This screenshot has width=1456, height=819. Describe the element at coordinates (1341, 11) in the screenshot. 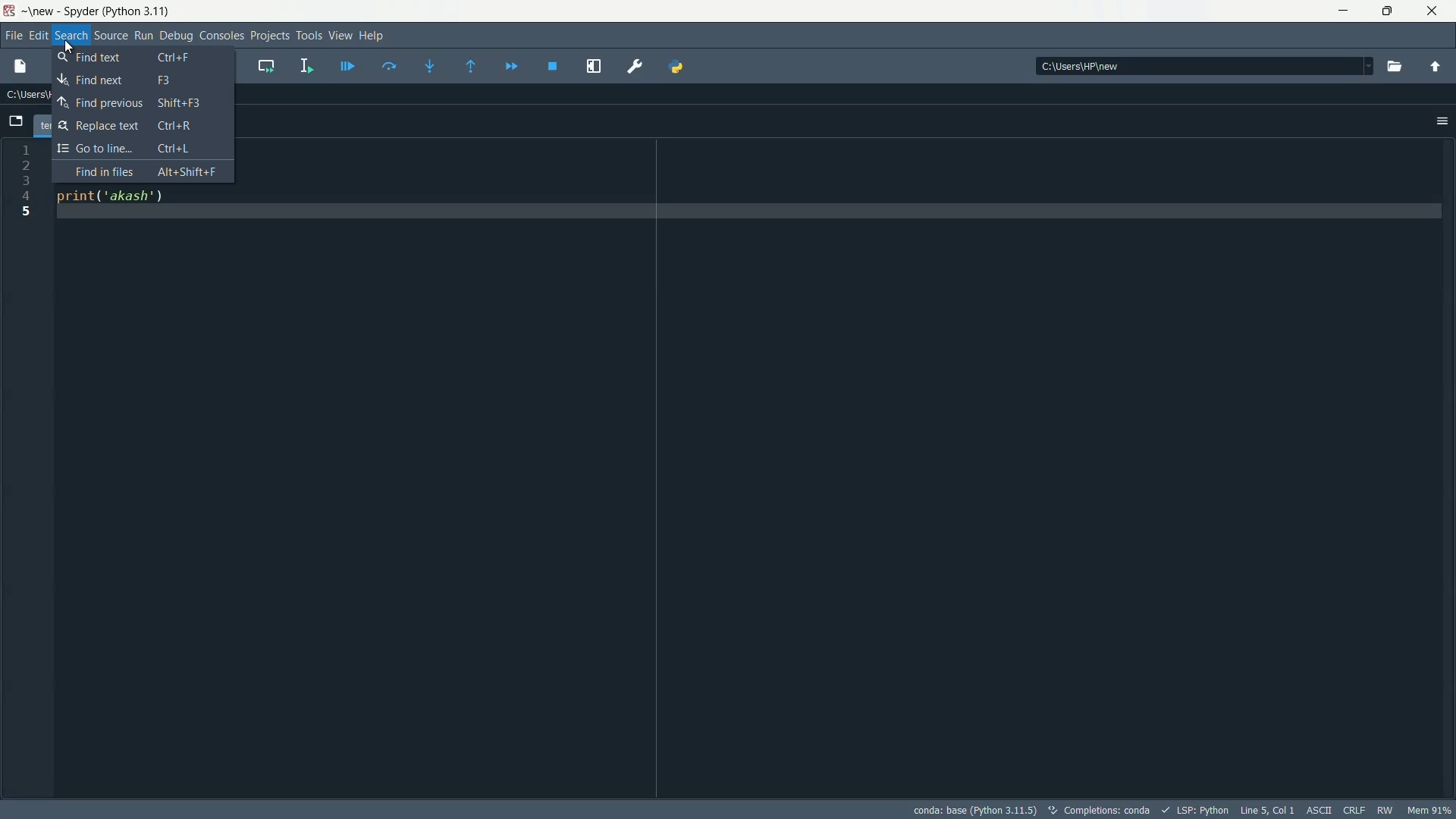

I see `minimize` at that location.